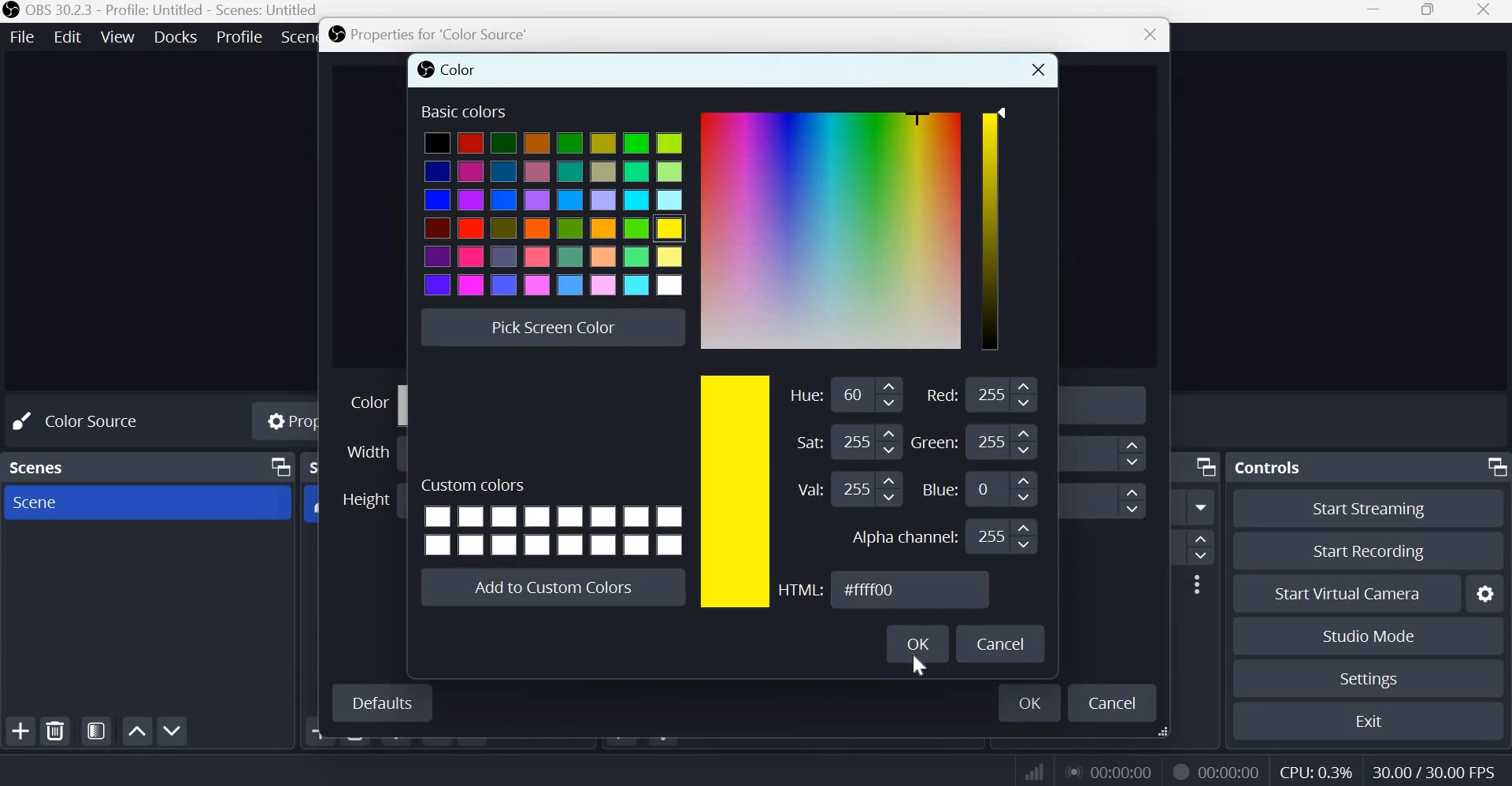 The height and width of the screenshot is (786, 1512). What do you see at coordinates (1373, 13) in the screenshot?
I see `Minimize` at bounding box center [1373, 13].